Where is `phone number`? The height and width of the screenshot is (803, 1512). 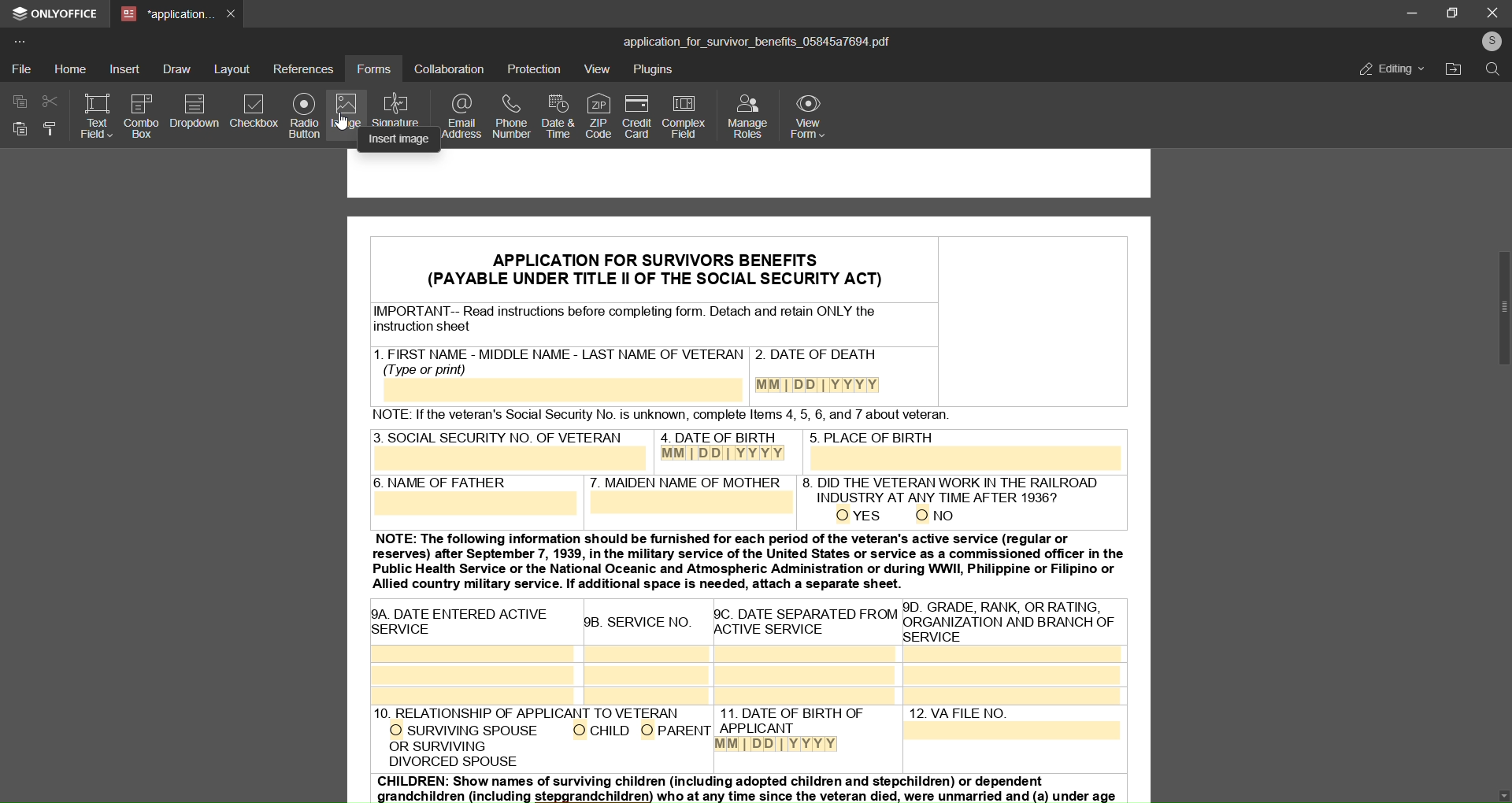 phone number is located at coordinates (509, 118).